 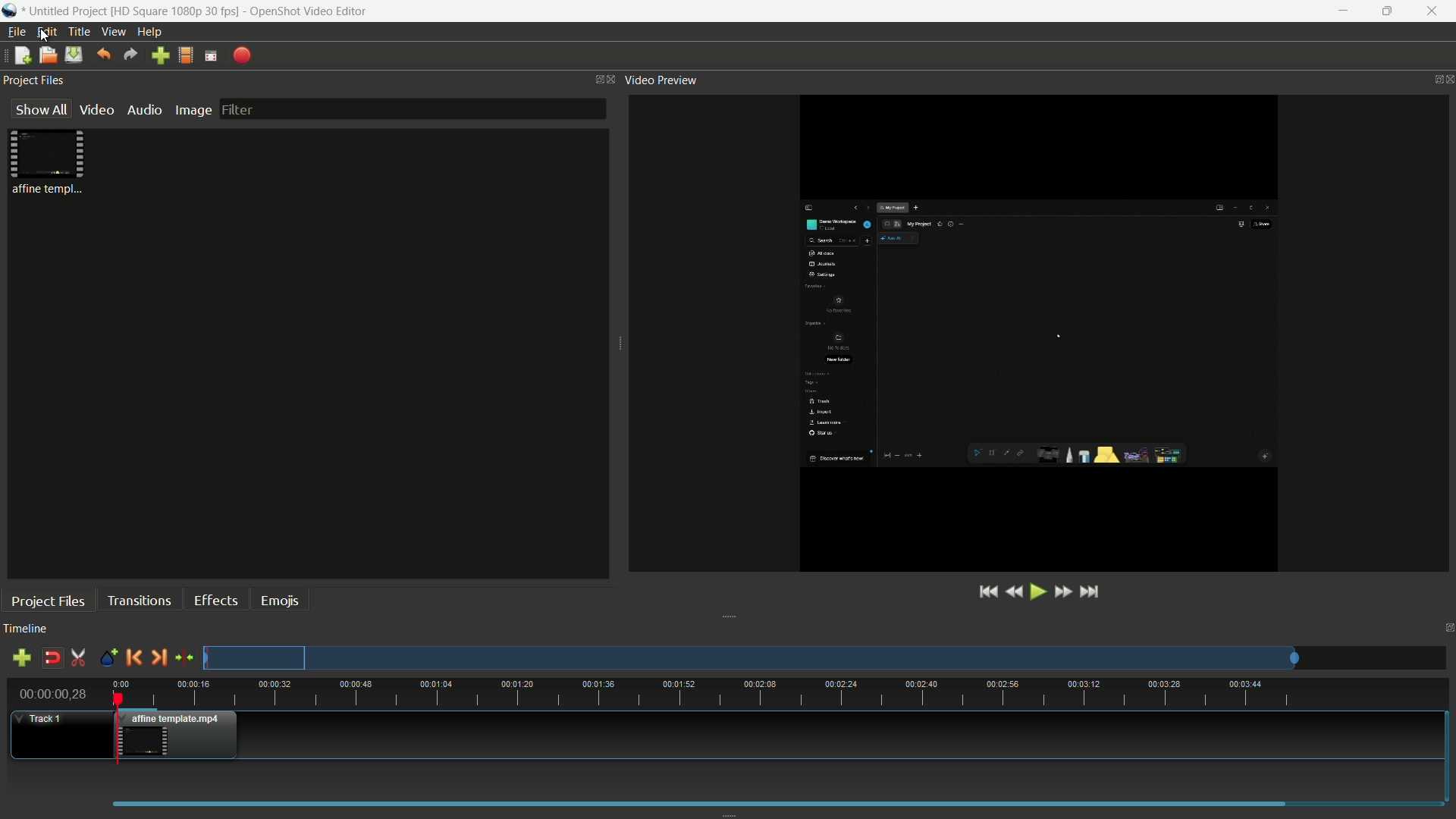 What do you see at coordinates (146, 110) in the screenshot?
I see `audio` at bounding box center [146, 110].